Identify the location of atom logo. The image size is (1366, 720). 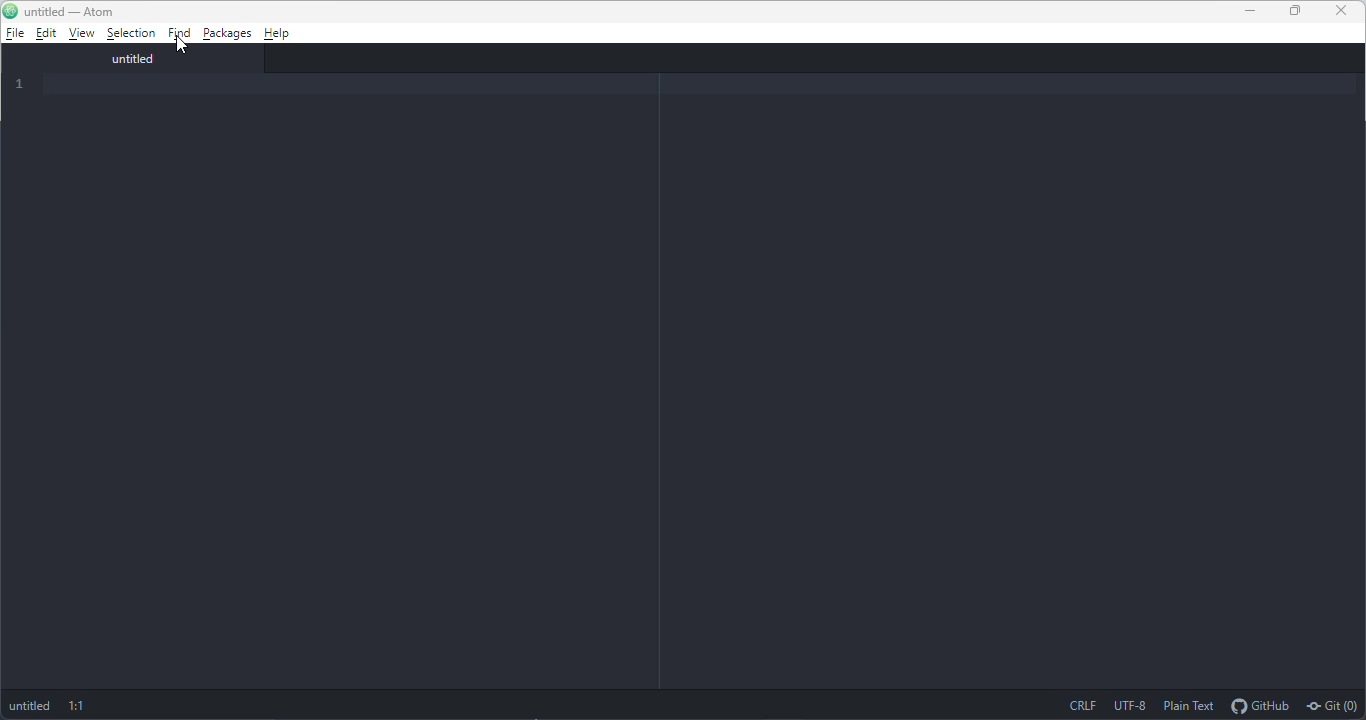
(13, 11).